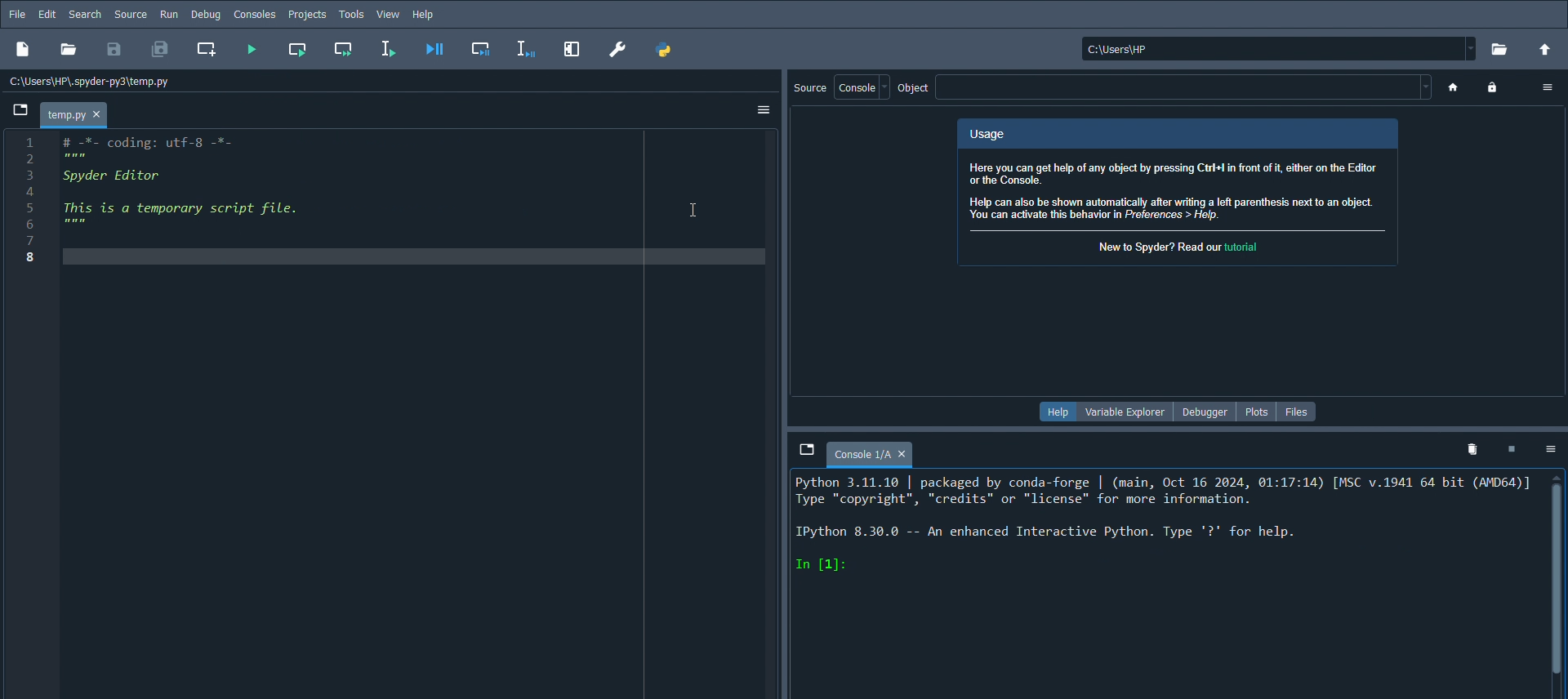 The width and height of the screenshot is (1568, 699). I want to click on Options, so click(1551, 451).